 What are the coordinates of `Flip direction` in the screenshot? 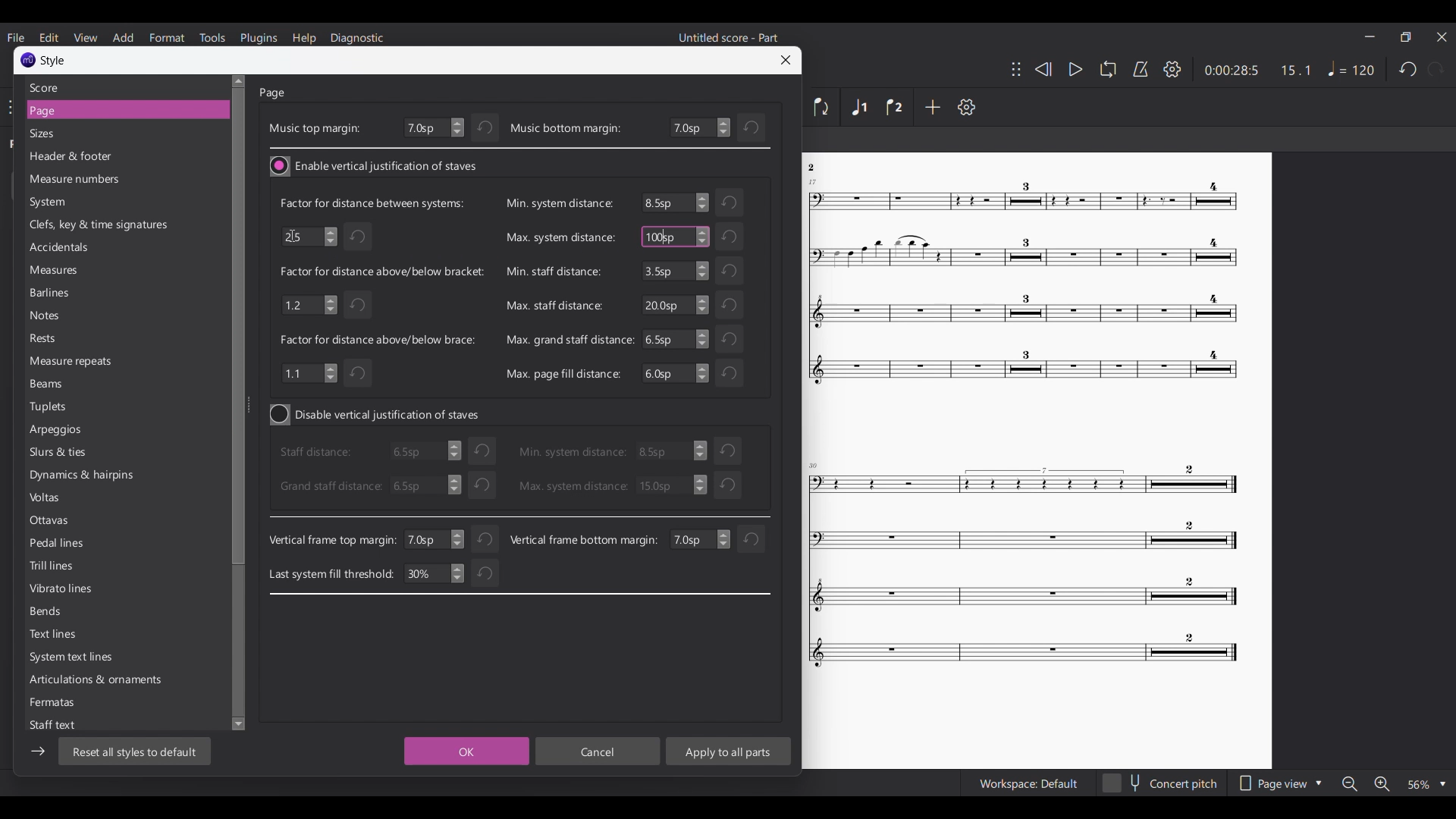 It's located at (822, 107).